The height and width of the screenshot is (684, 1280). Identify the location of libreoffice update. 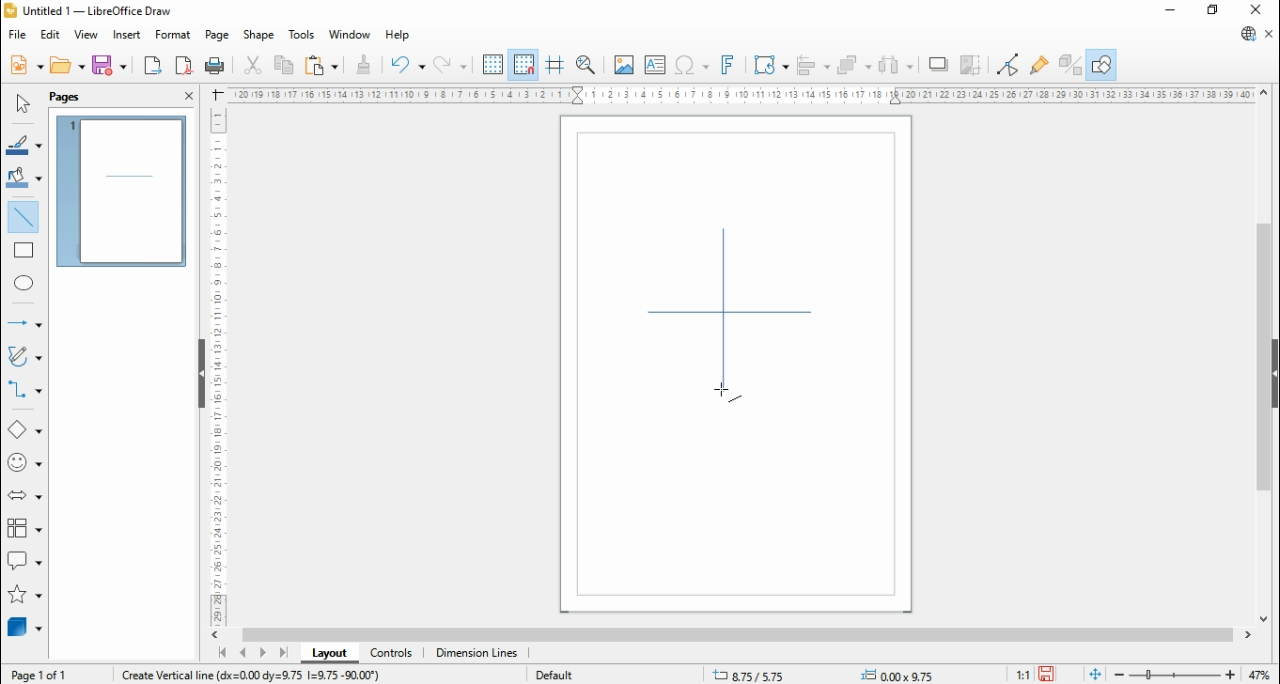
(1247, 34).